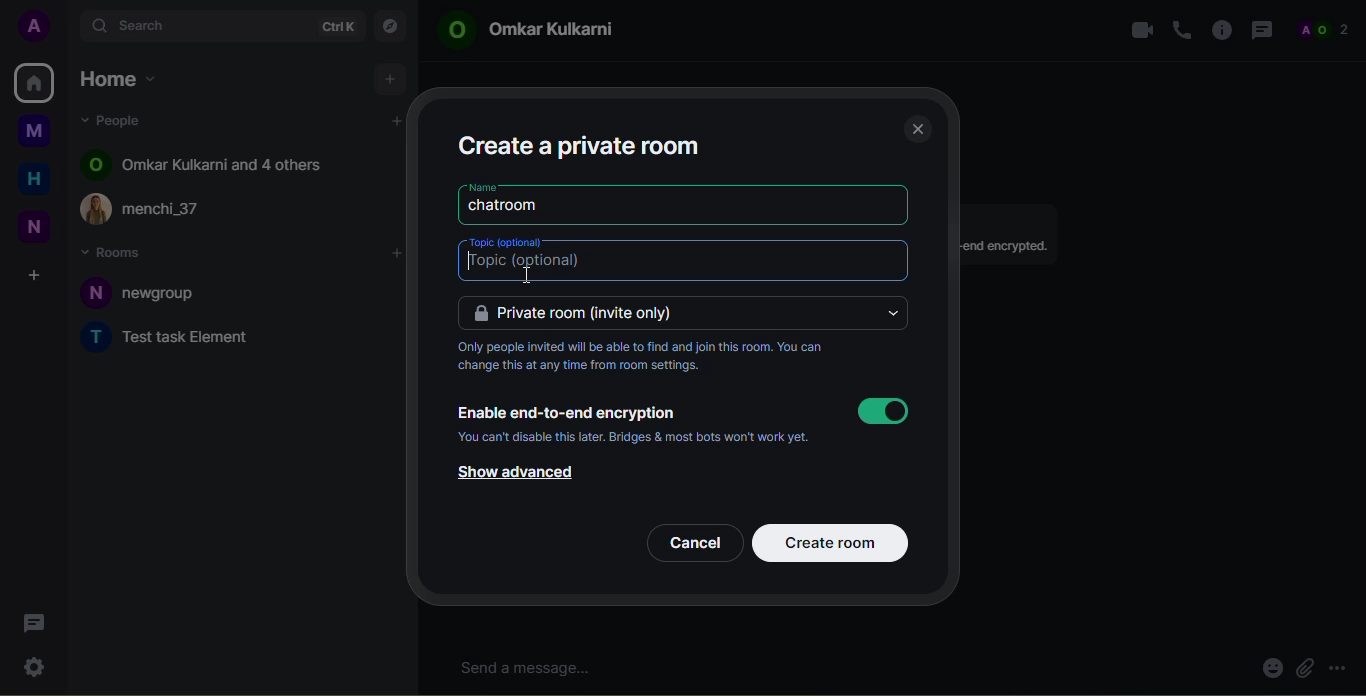 The image size is (1366, 696). I want to click on Topic (optional), so click(526, 263).